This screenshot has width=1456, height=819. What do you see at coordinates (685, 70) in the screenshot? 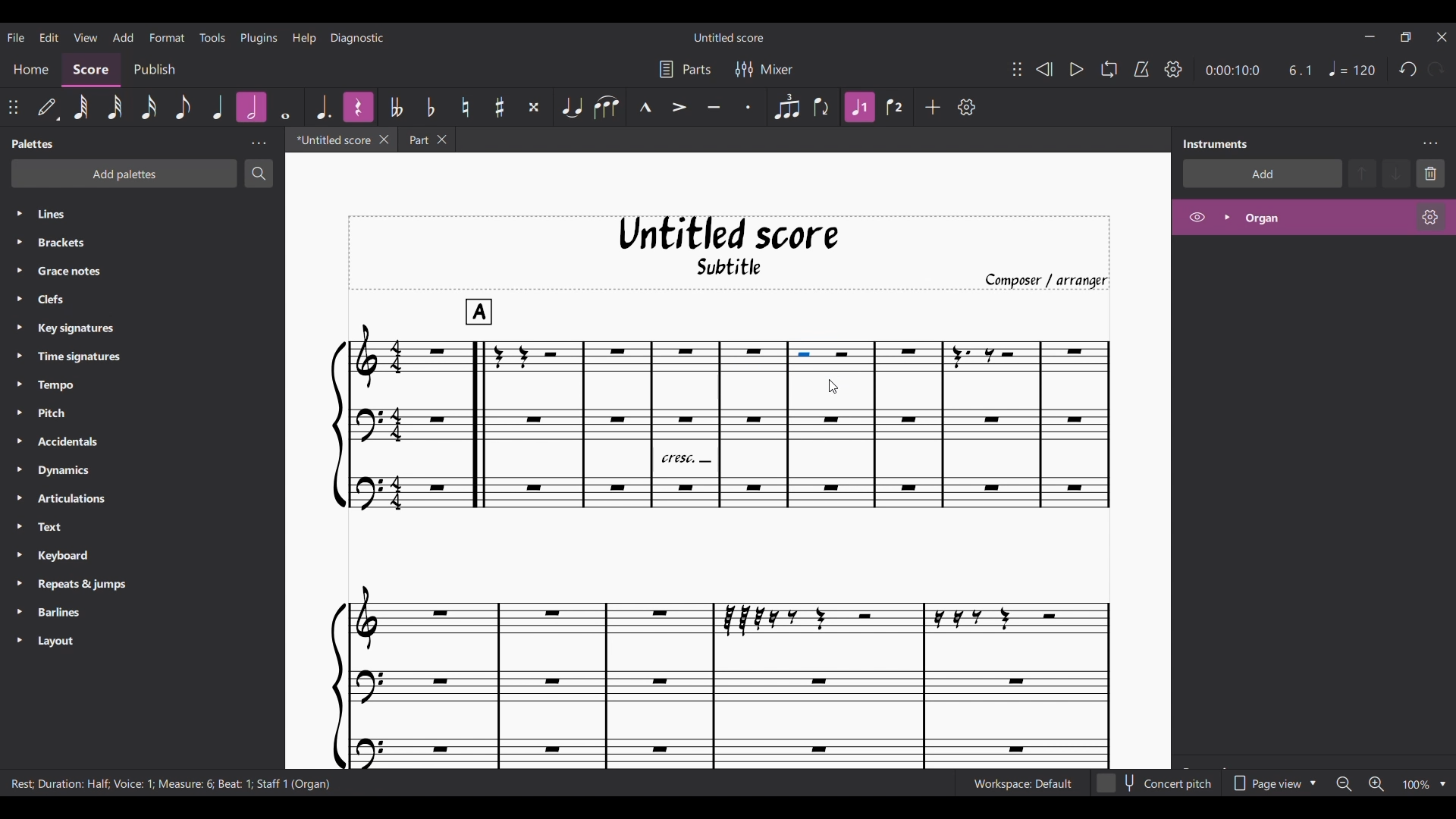
I see `Parts settings` at bounding box center [685, 70].